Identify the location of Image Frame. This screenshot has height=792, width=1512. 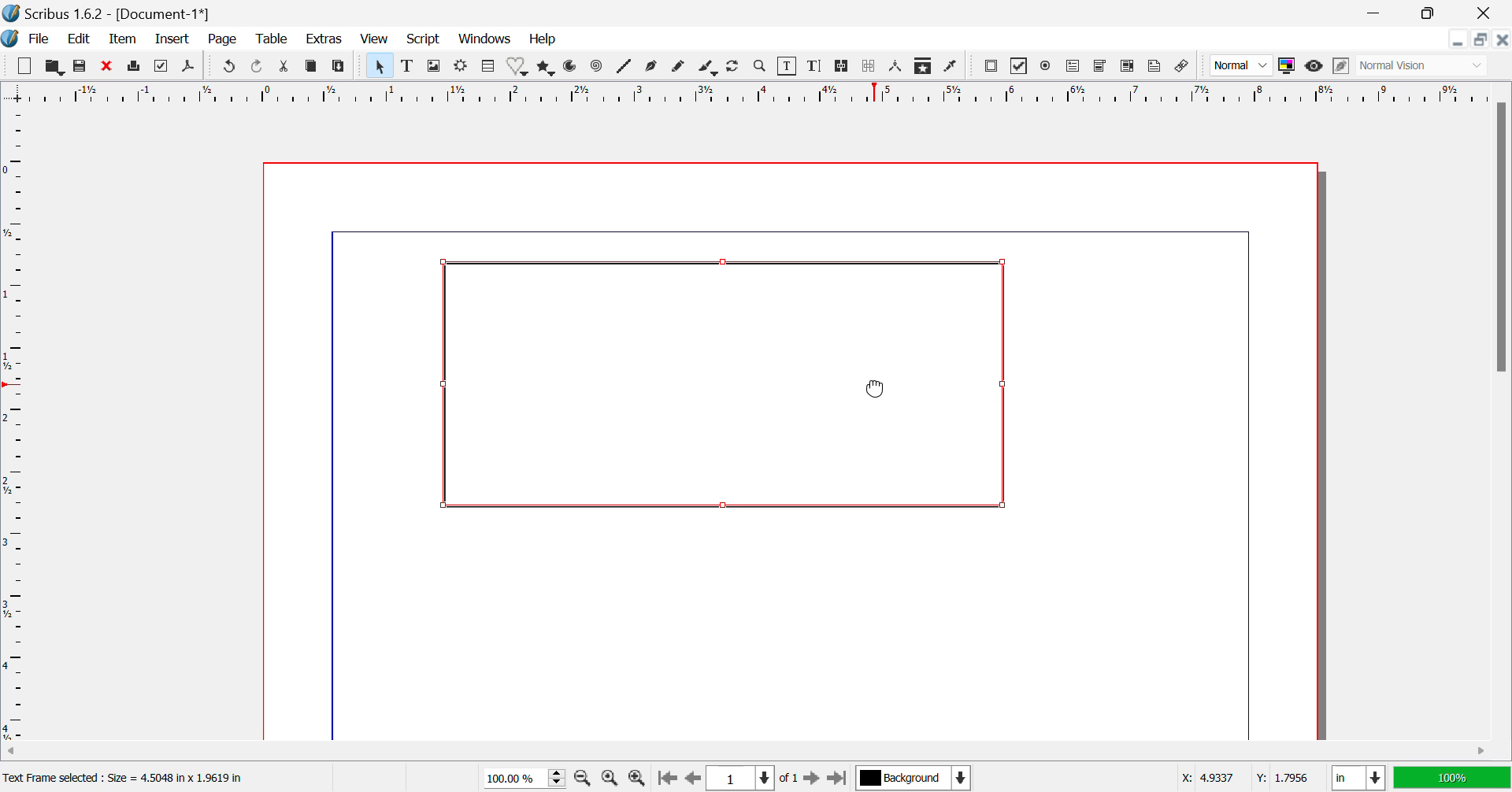
(435, 66).